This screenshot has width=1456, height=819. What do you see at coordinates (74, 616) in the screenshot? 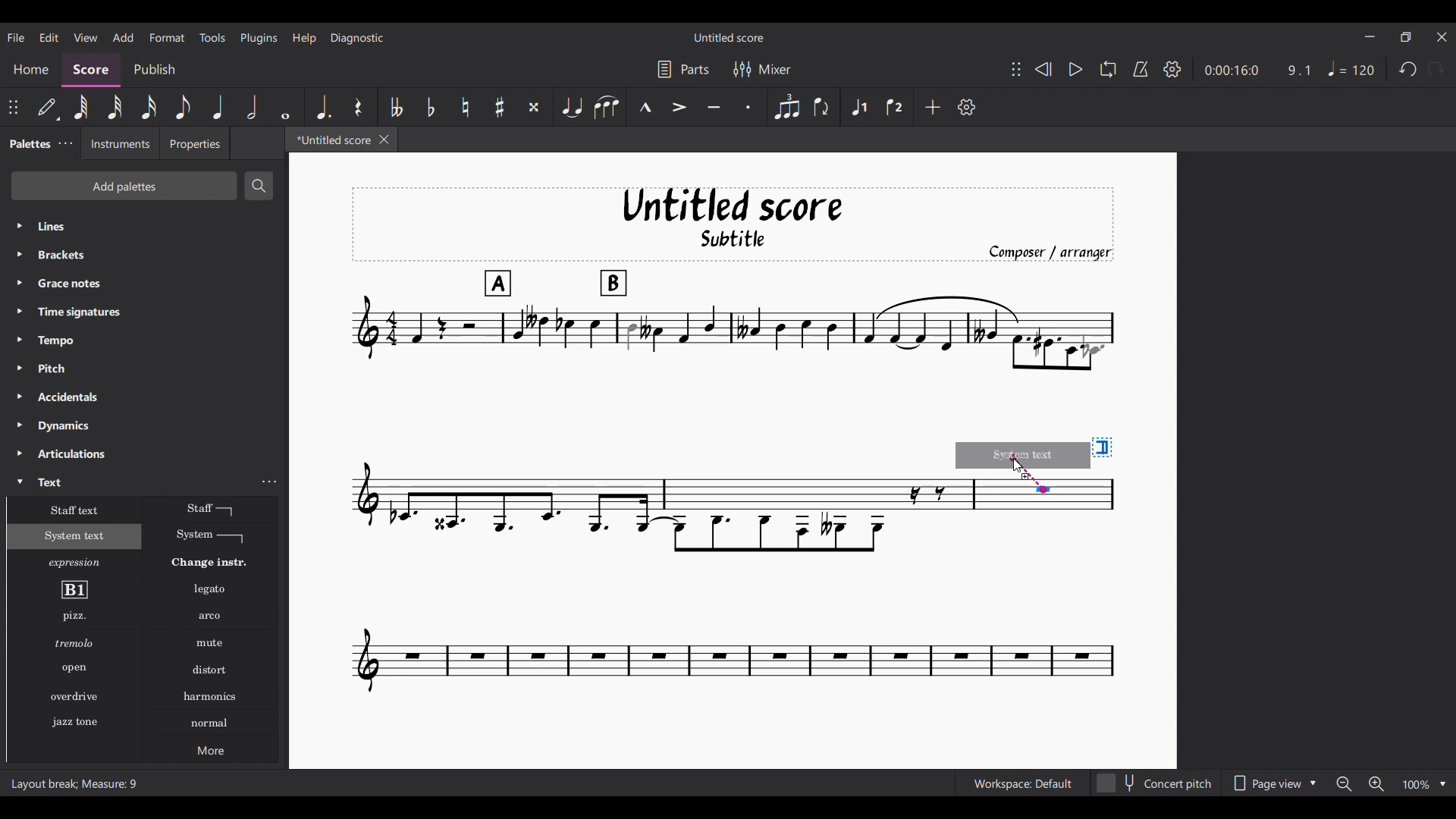
I see `Pizzicato` at bounding box center [74, 616].